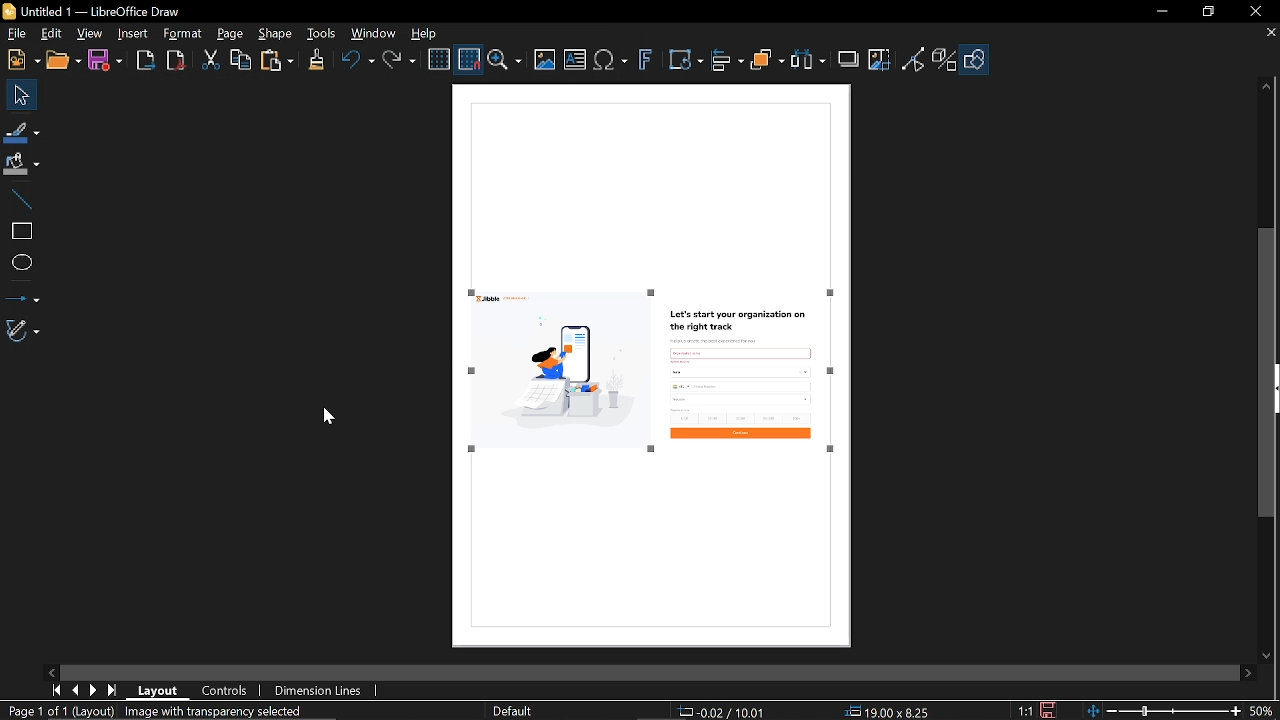 The width and height of the screenshot is (1280, 720). What do you see at coordinates (199, 711) in the screenshot?
I see `Pages` at bounding box center [199, 711].